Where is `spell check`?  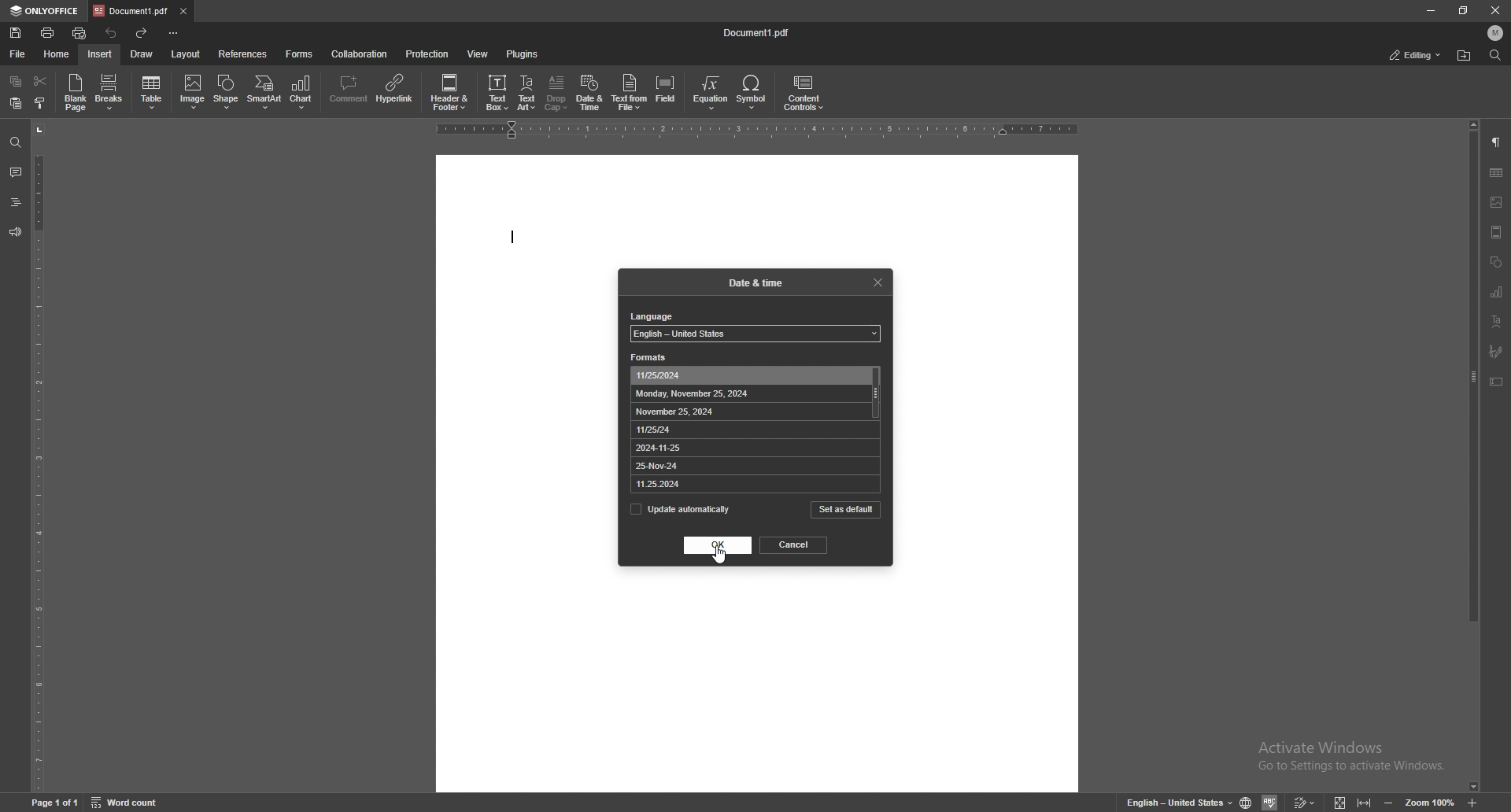
spell check is located at coordinates (1269, 802).